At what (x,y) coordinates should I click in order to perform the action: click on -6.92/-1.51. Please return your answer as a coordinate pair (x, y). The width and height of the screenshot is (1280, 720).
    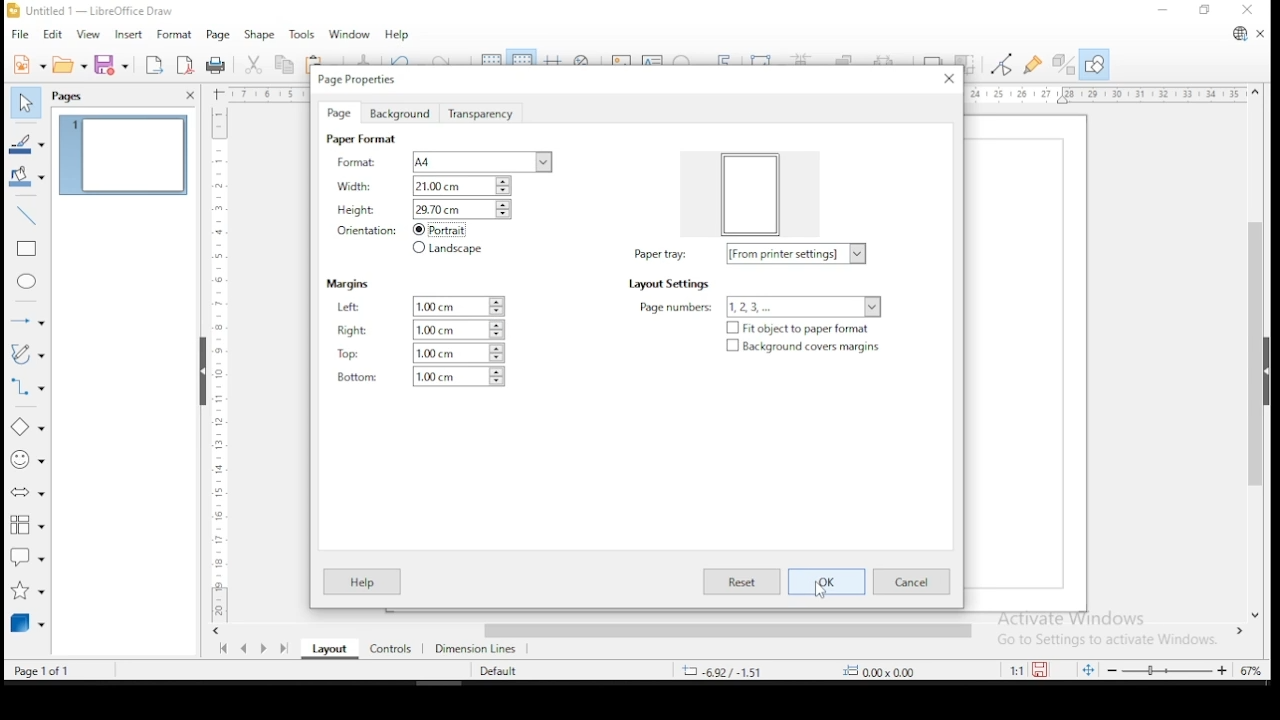
    Looking at the image, I should click on (729, 670).